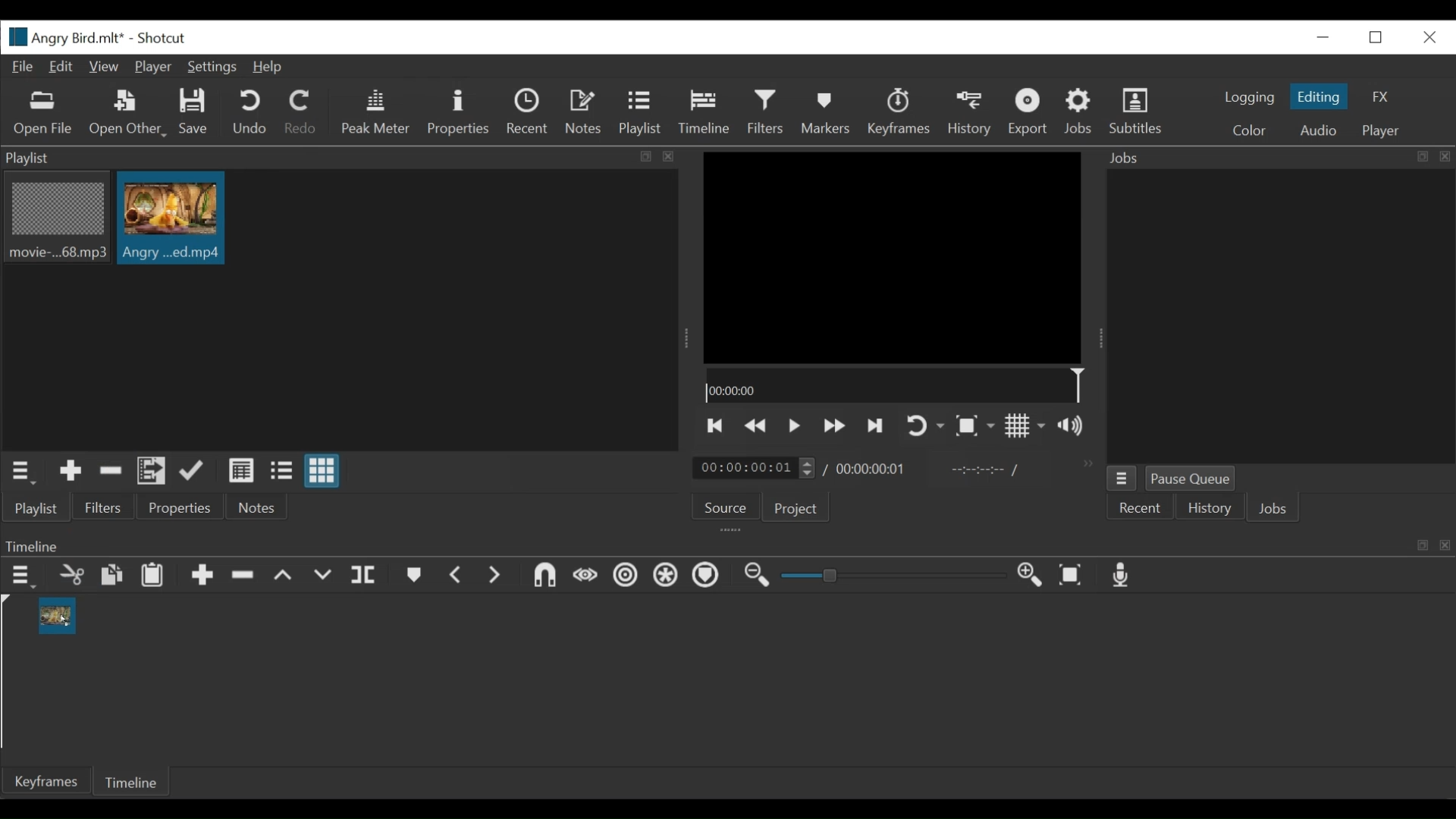 This screenshot has height=819, width=1456. I want to click on Snap, so click(545, 578).